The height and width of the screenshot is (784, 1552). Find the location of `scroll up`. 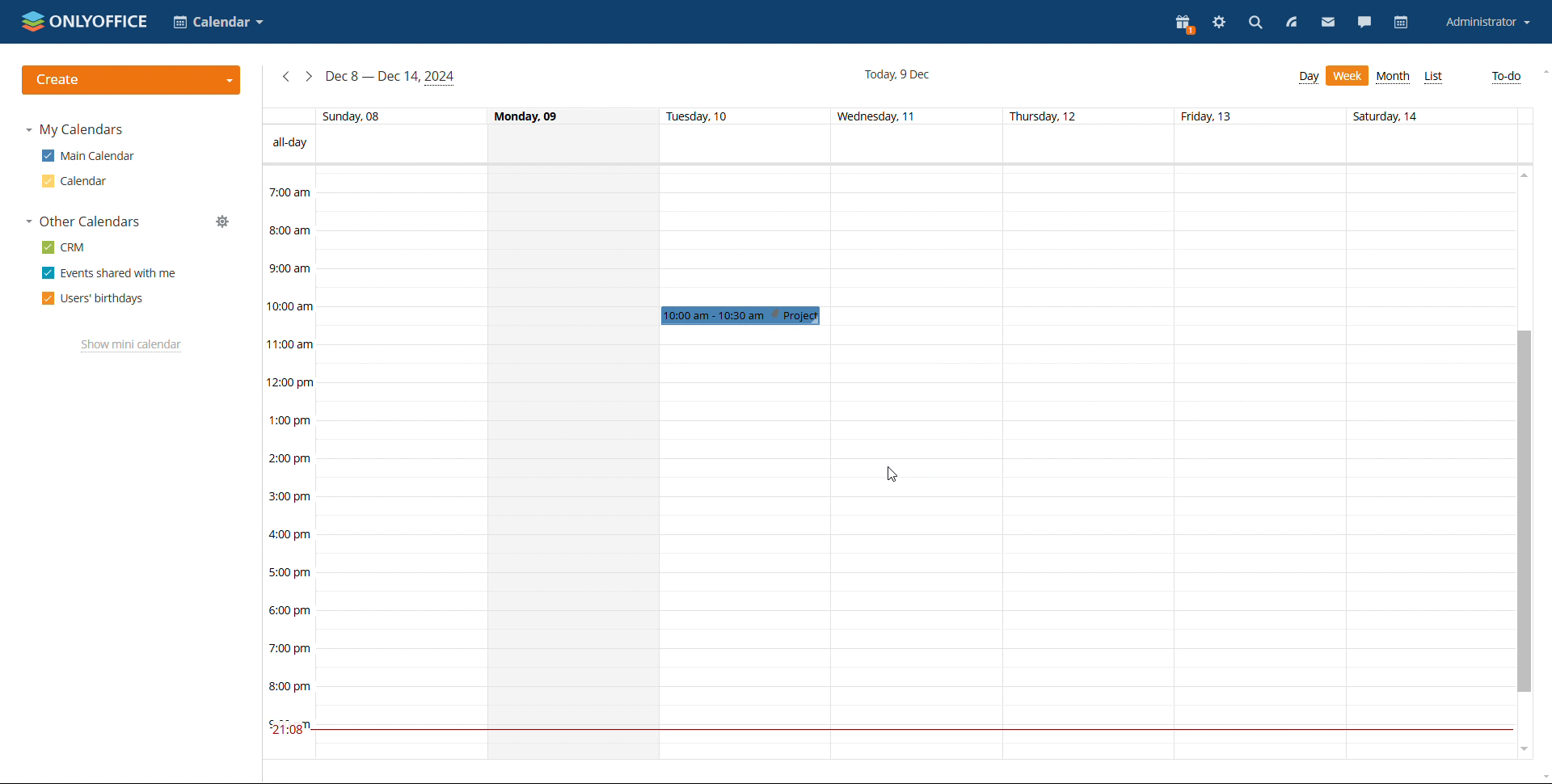

scroll up is located at coordinates (1542, 72).